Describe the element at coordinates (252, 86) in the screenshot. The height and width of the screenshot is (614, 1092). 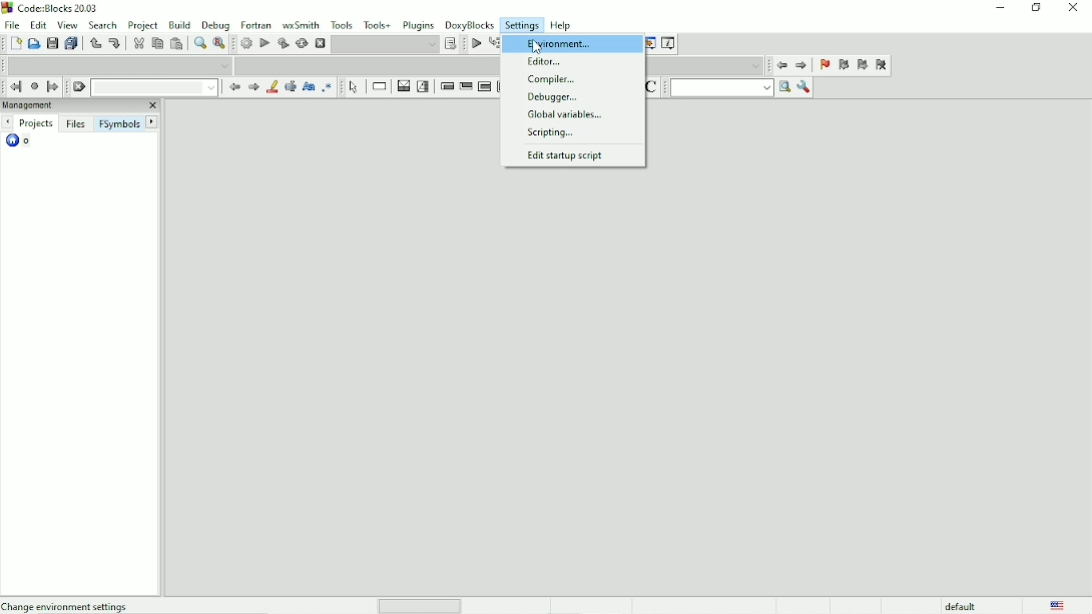
I see `Next` at that location.